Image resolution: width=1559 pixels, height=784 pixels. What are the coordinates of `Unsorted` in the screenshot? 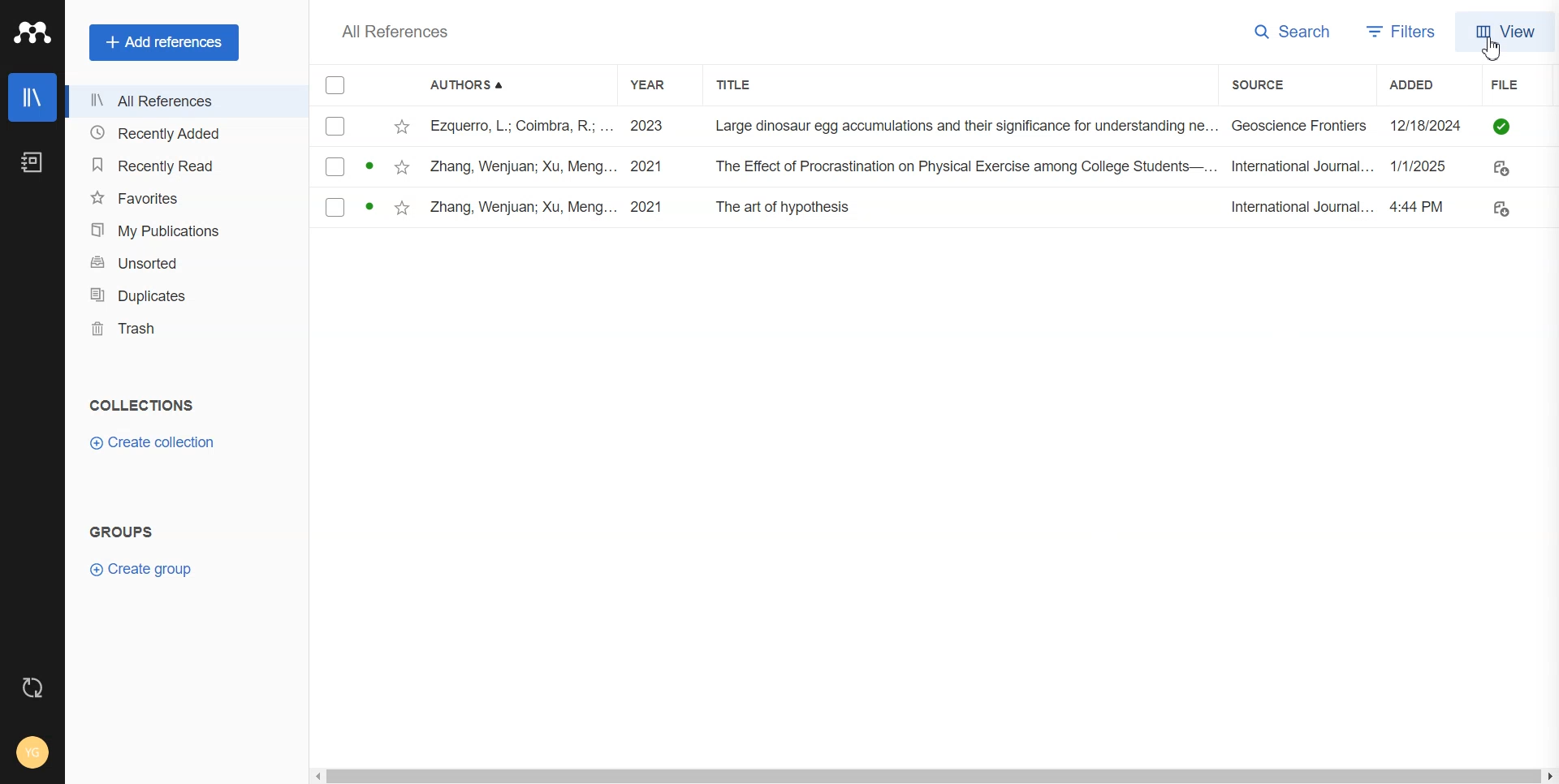 It's located at (175, 262).